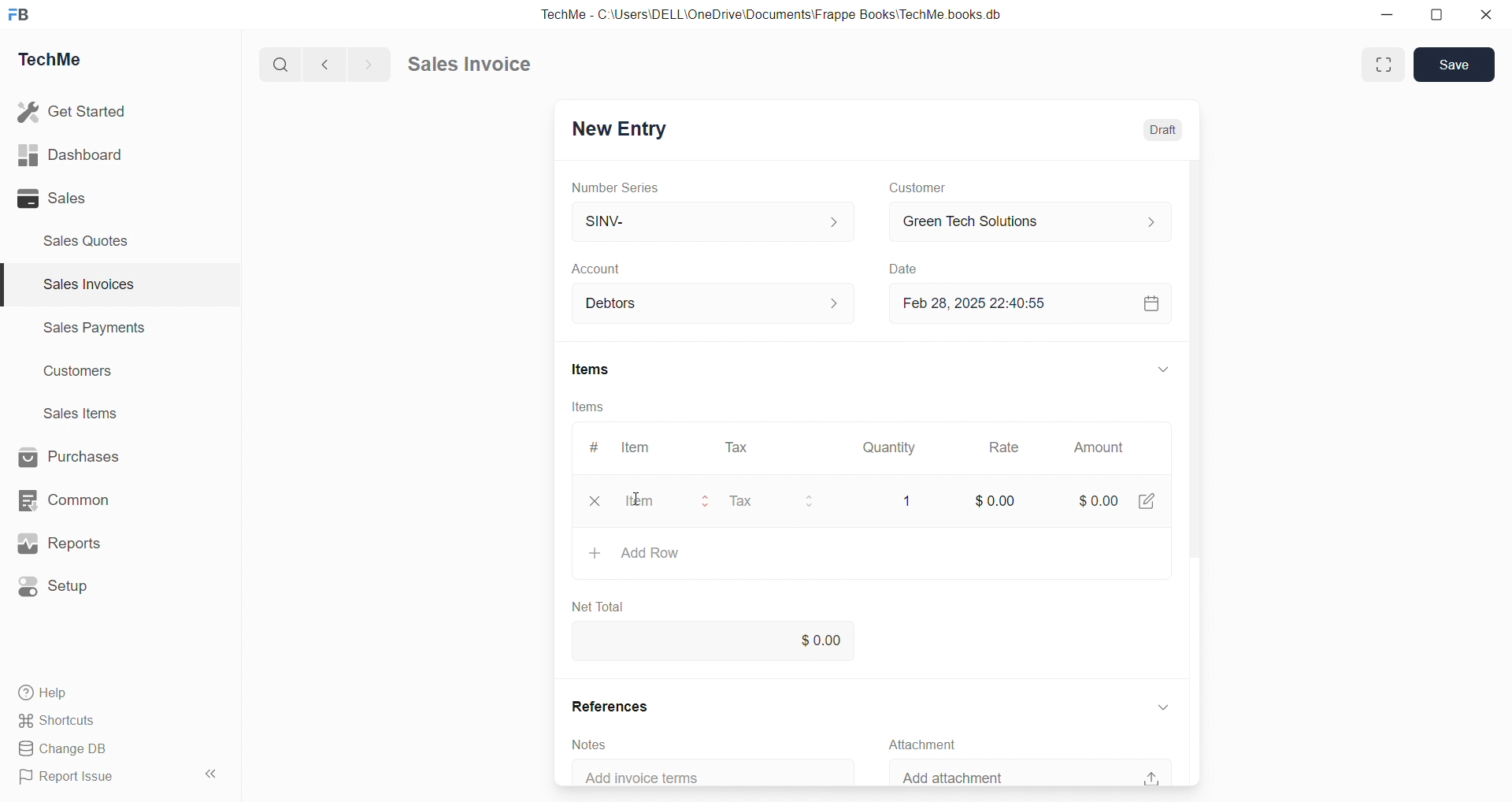 This screenshot has height=802, width=1512. Describe the element at coordinates (715, 303) in the screenshot. I see `Debtors` at that location.